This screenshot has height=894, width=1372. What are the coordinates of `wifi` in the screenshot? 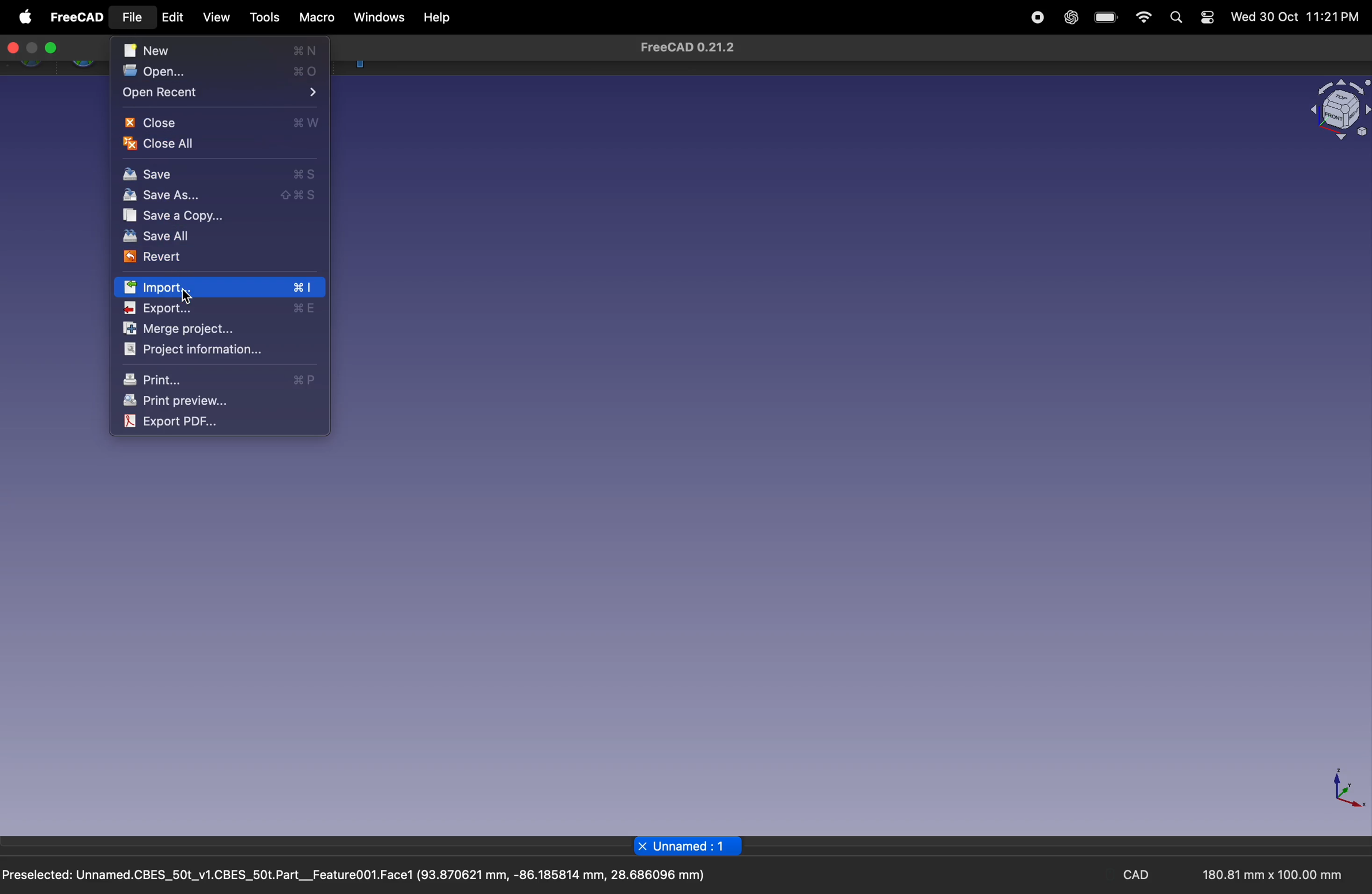 It's located at (1143, 19).